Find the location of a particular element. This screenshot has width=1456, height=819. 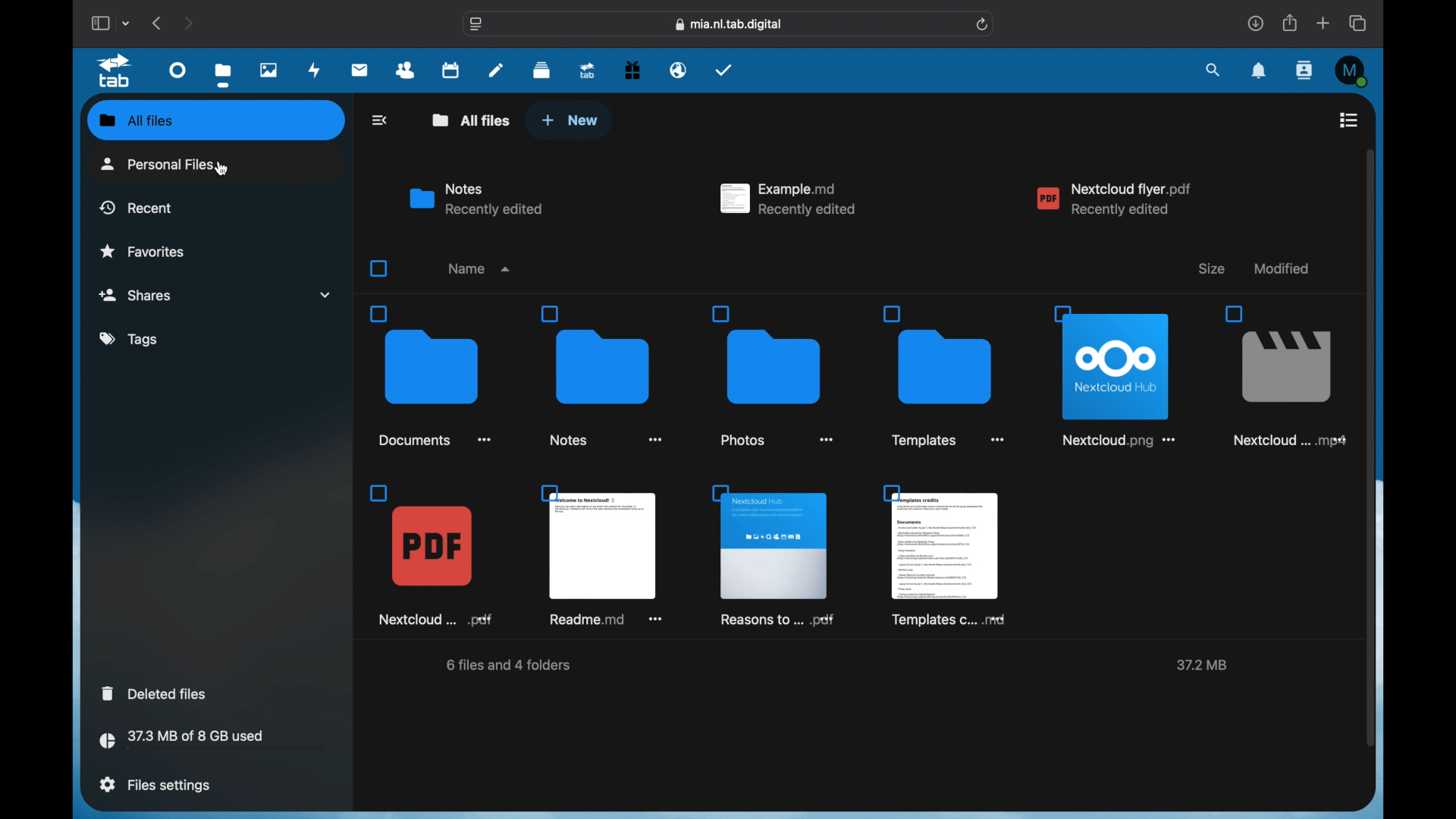

file is located at coordinates (432, 557).